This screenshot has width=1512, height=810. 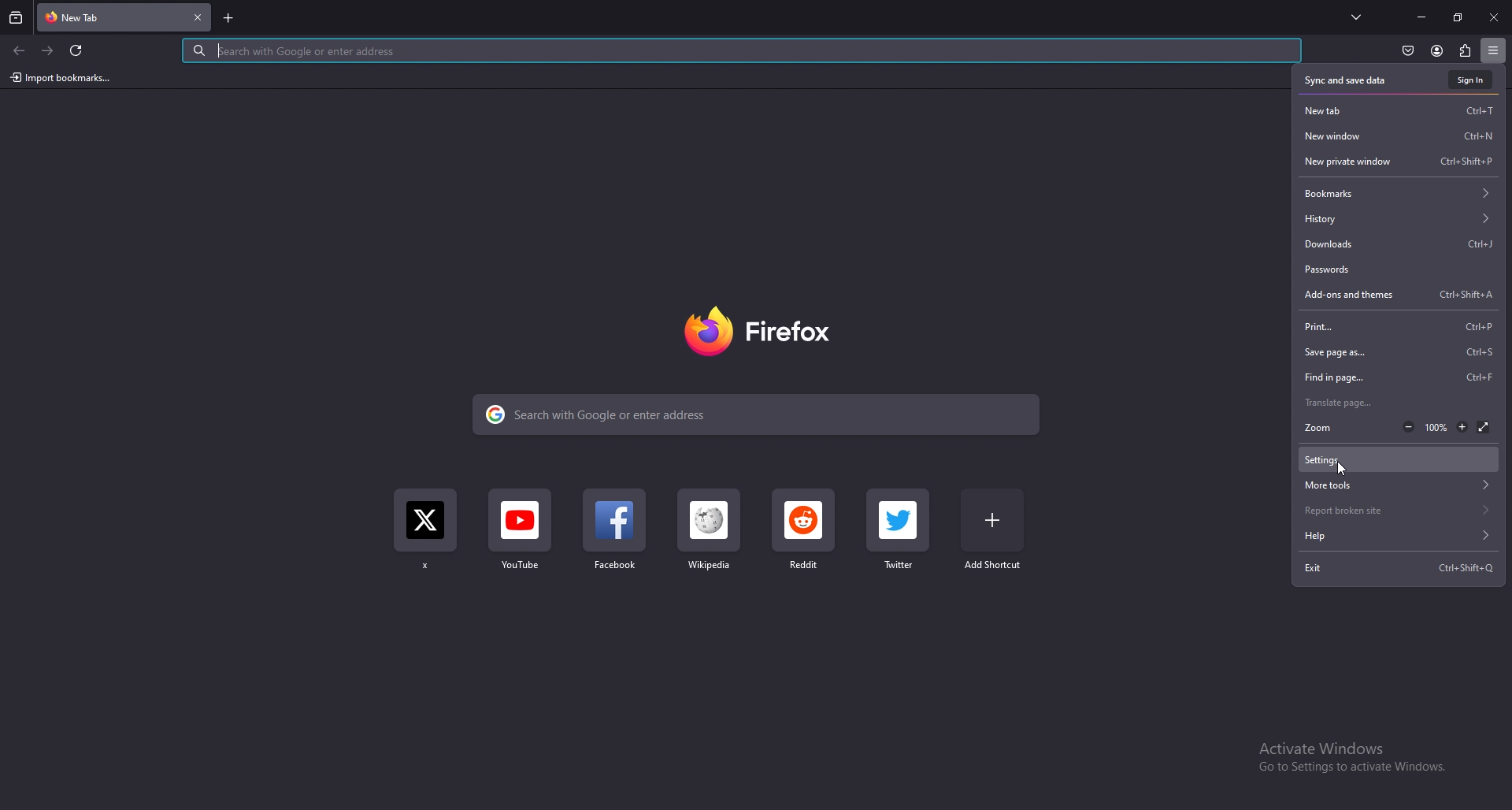 What do you see at coordinates (903, 530) in the screenshot?
I see `twitter` at bounding box center [903, 530].